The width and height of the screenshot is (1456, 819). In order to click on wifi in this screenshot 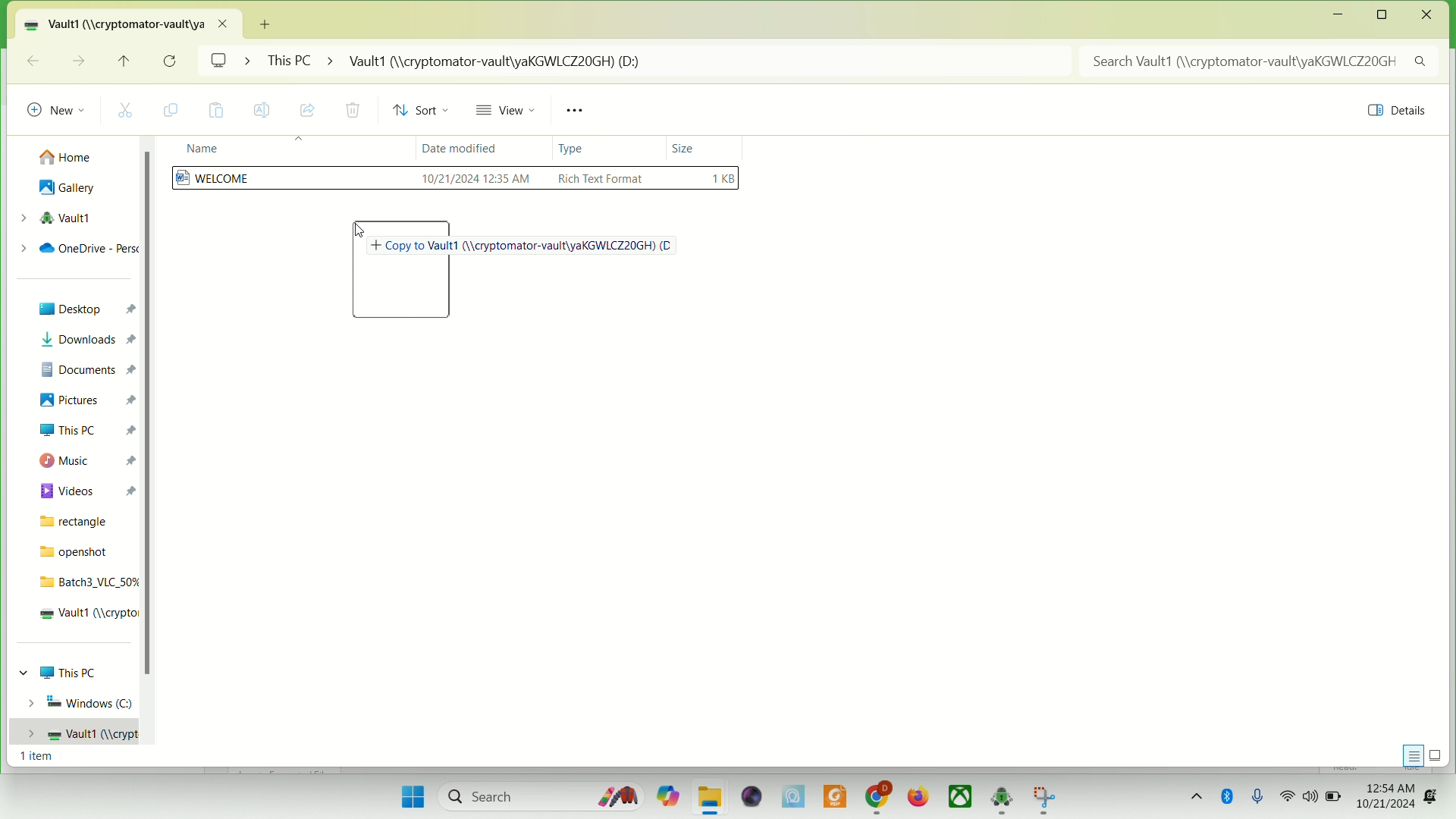, I will do `click(1288, 796)`.